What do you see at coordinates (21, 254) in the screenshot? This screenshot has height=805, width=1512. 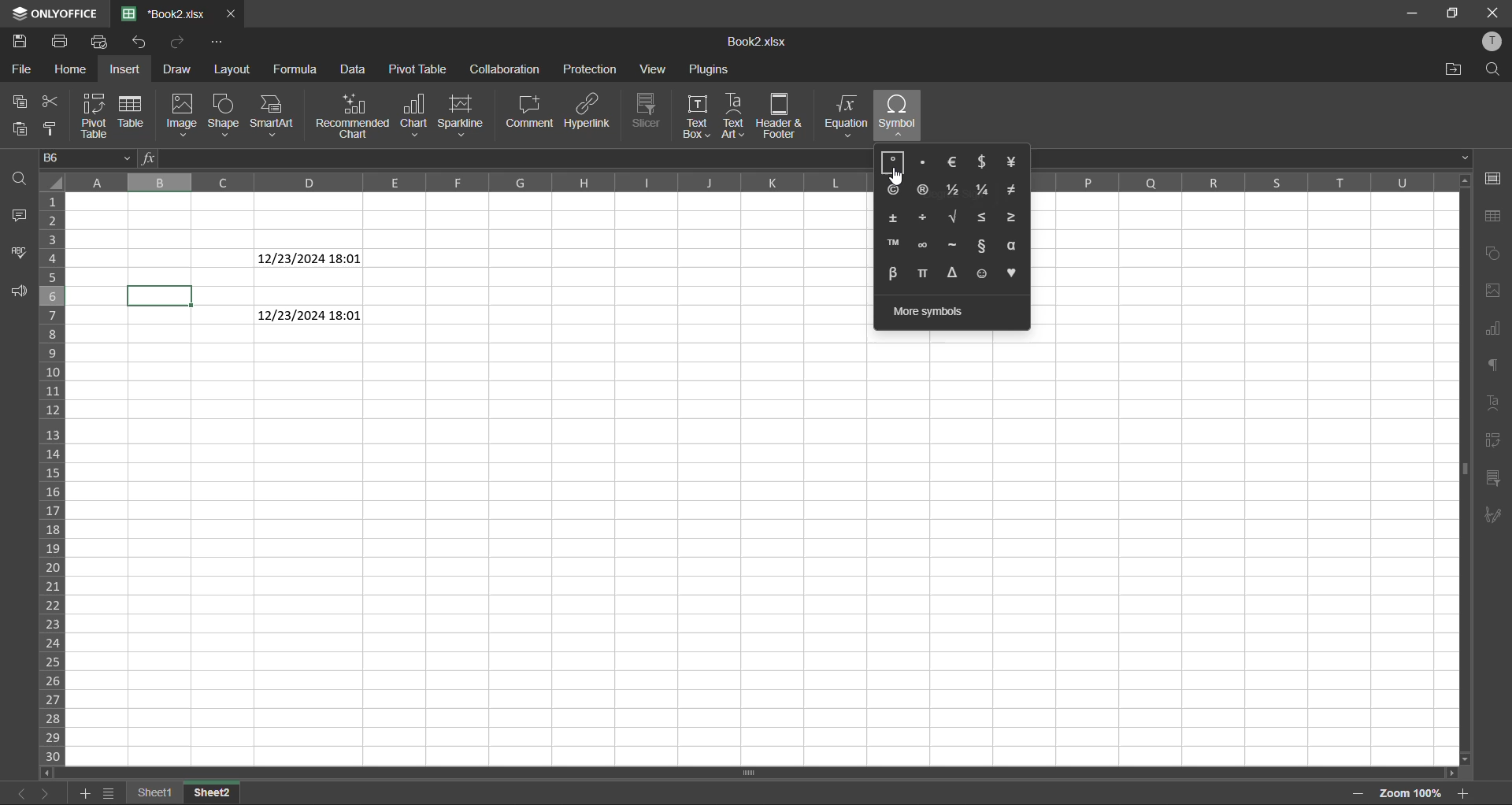 I see `spellcheck` at bounding box center [21, 254].